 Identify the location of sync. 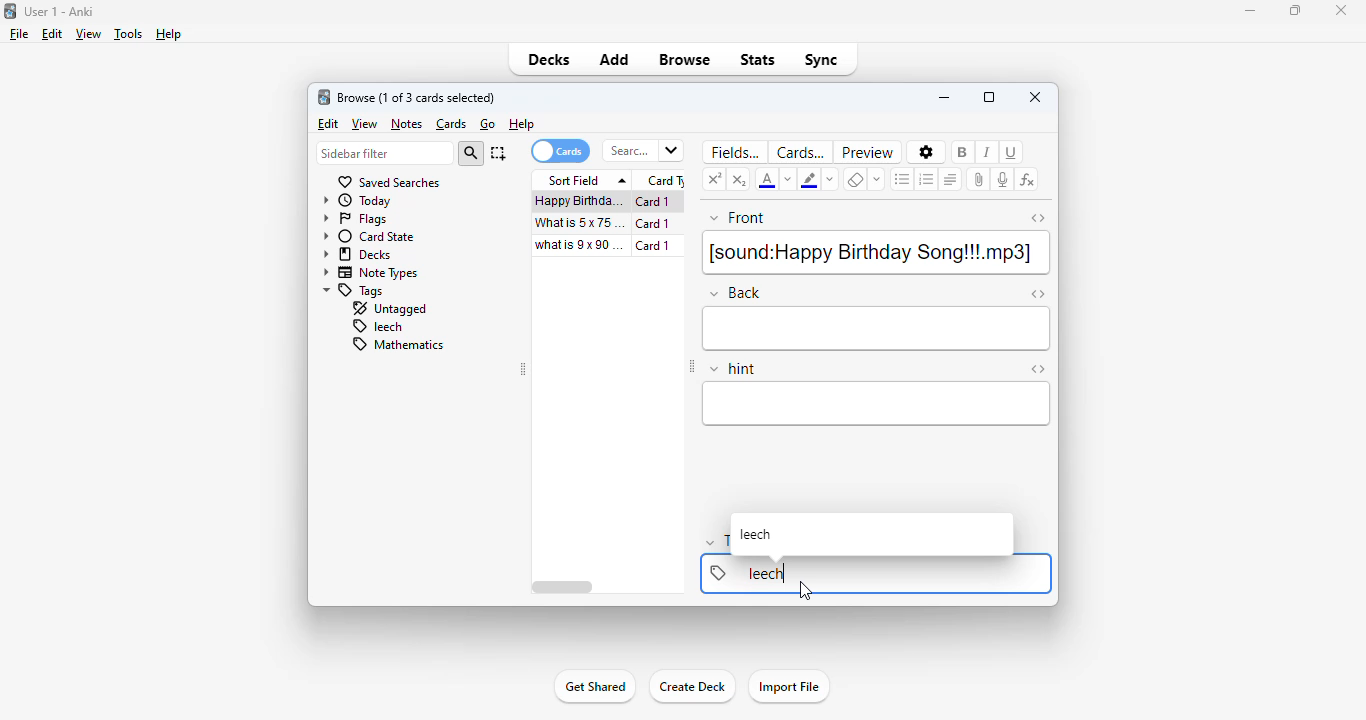
(821, 59).